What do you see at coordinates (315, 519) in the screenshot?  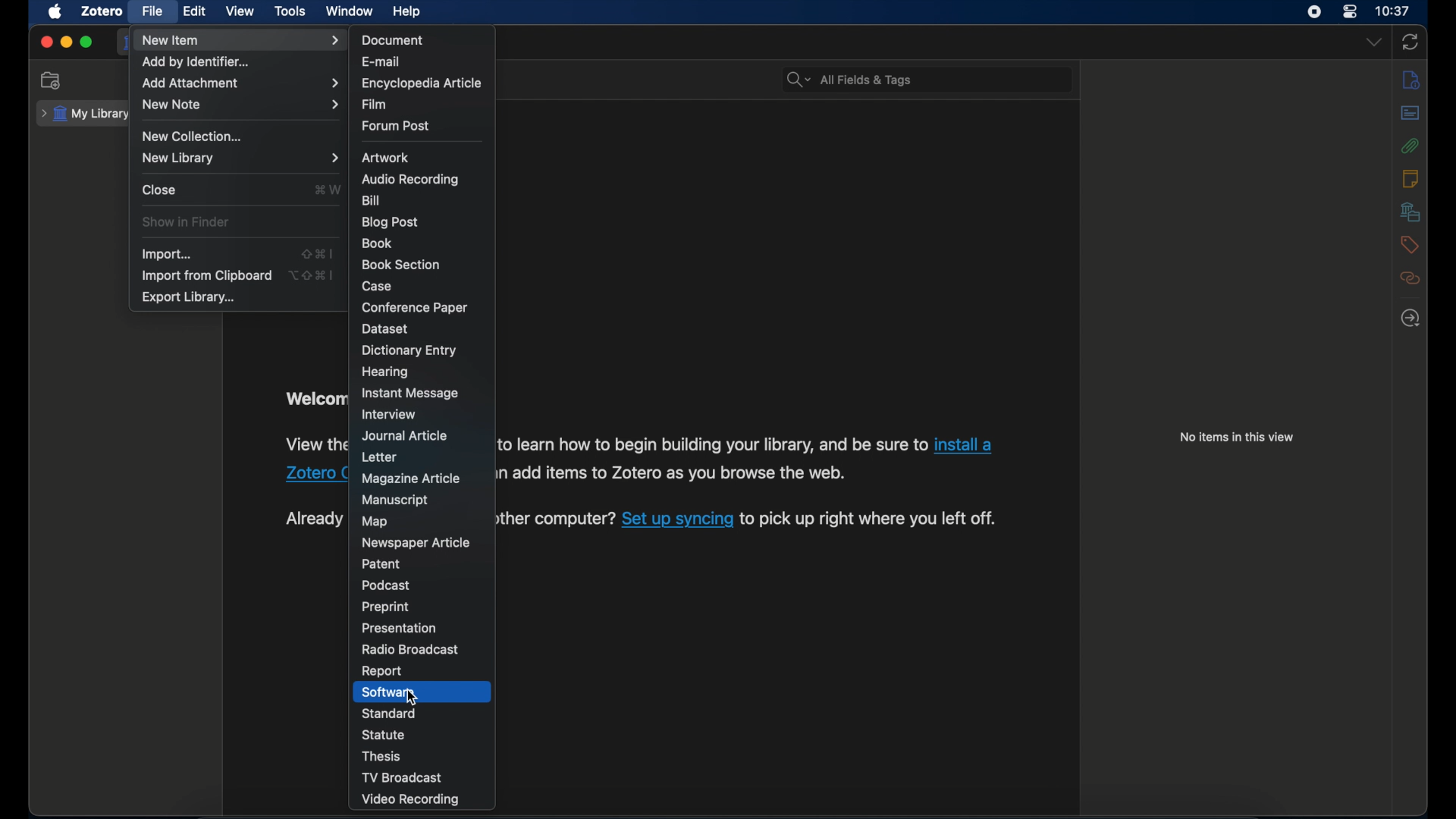 I see `text` at bounding box center [315, 519].